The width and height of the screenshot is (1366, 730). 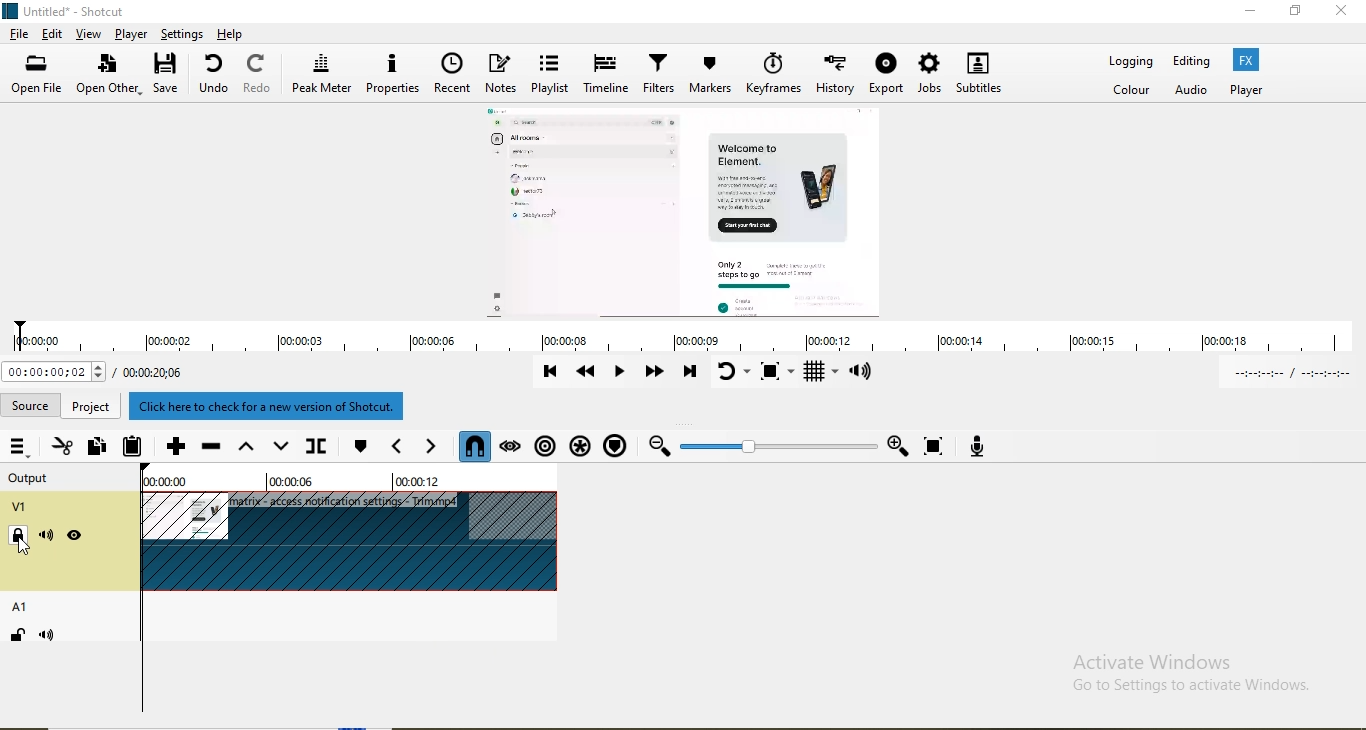 What do you see at coordinates (52, 637) in the screenshot?
I see `Mute` at bounding box center [52, 637].